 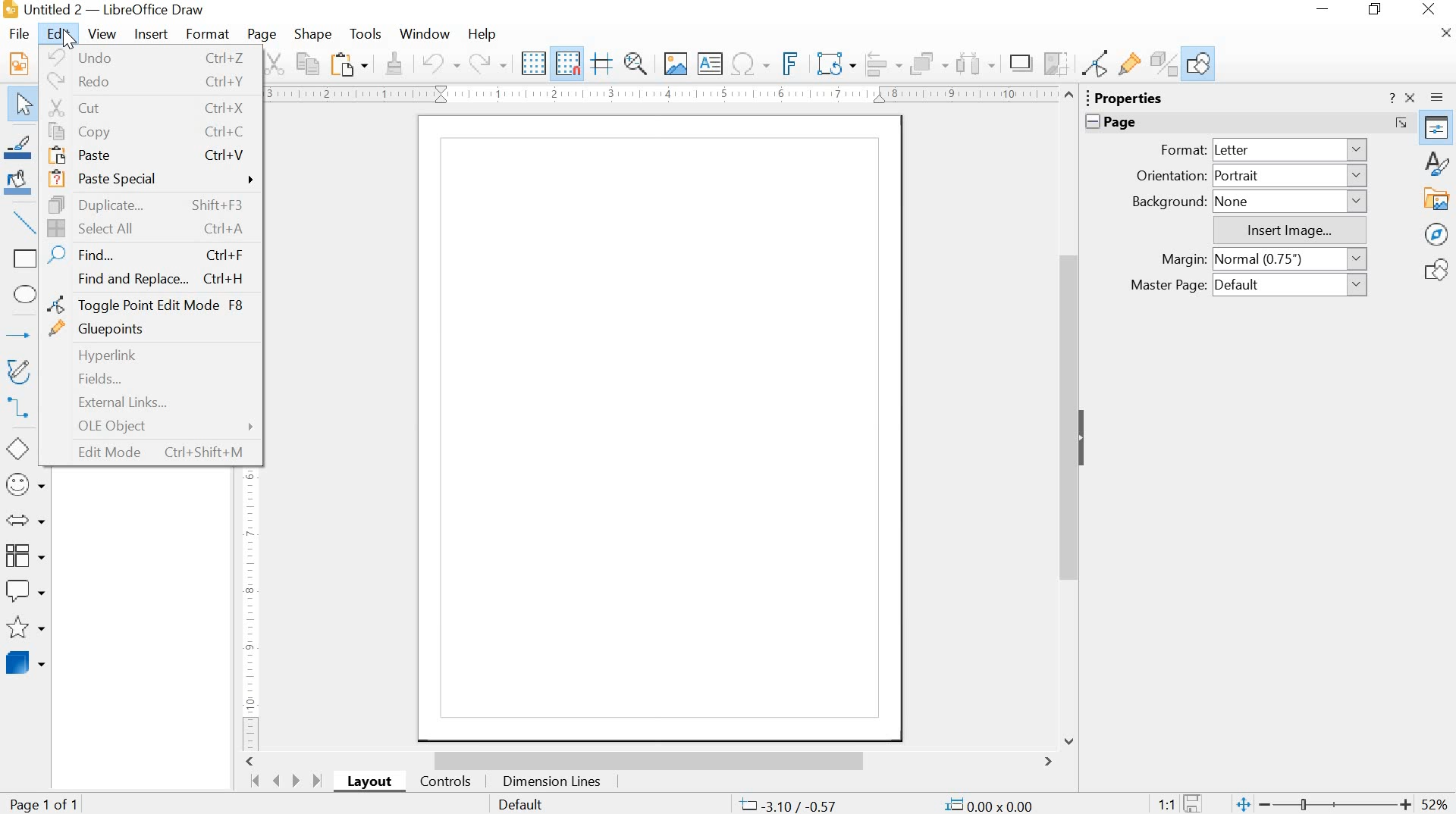 What do you see at coordinates (1055, 61) in the screenshot?
I see `Crop Image` at bounding box center [1055, 61].